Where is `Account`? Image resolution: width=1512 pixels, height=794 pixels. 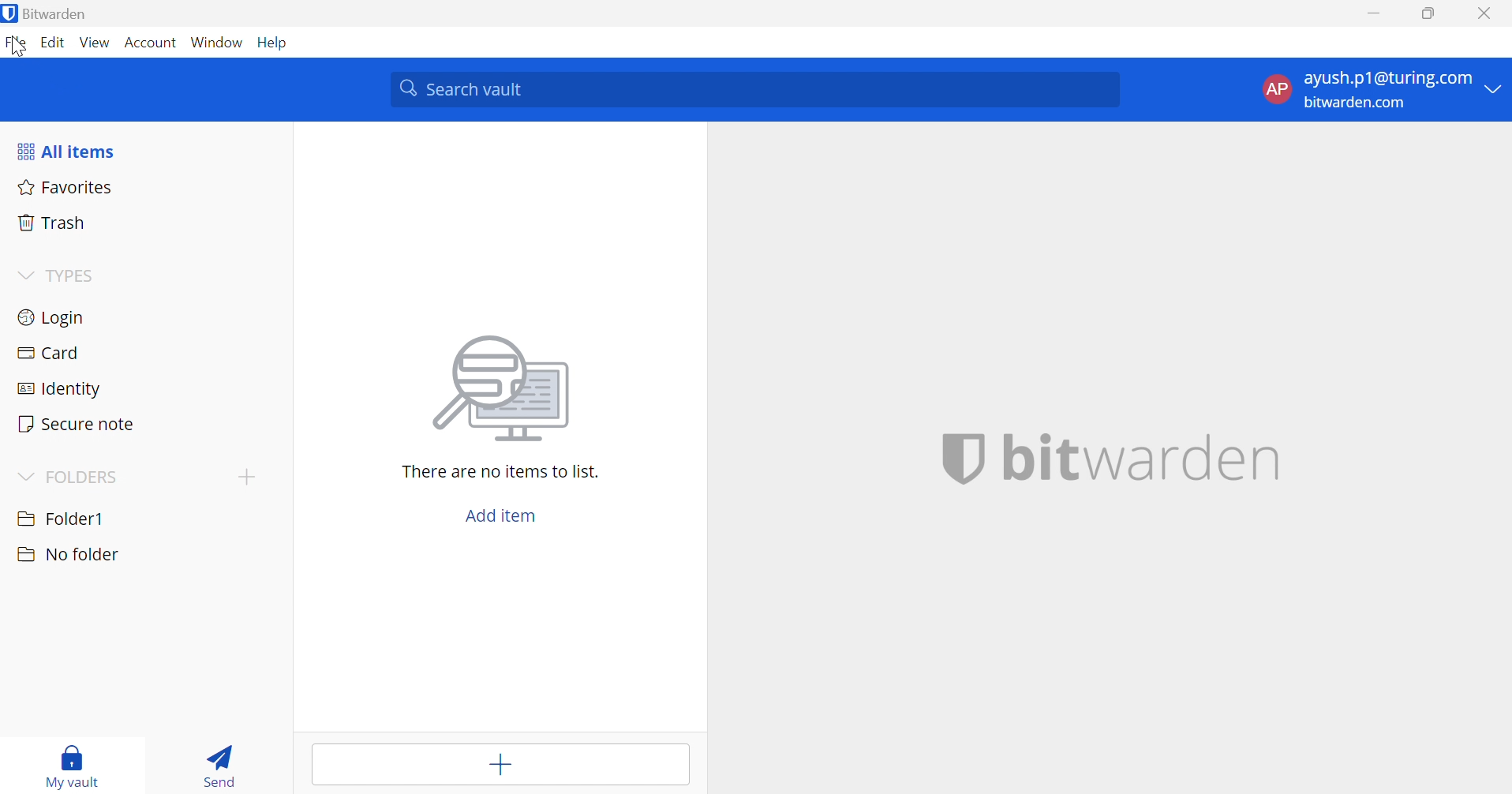
Account is located at coordinates (151, 43).